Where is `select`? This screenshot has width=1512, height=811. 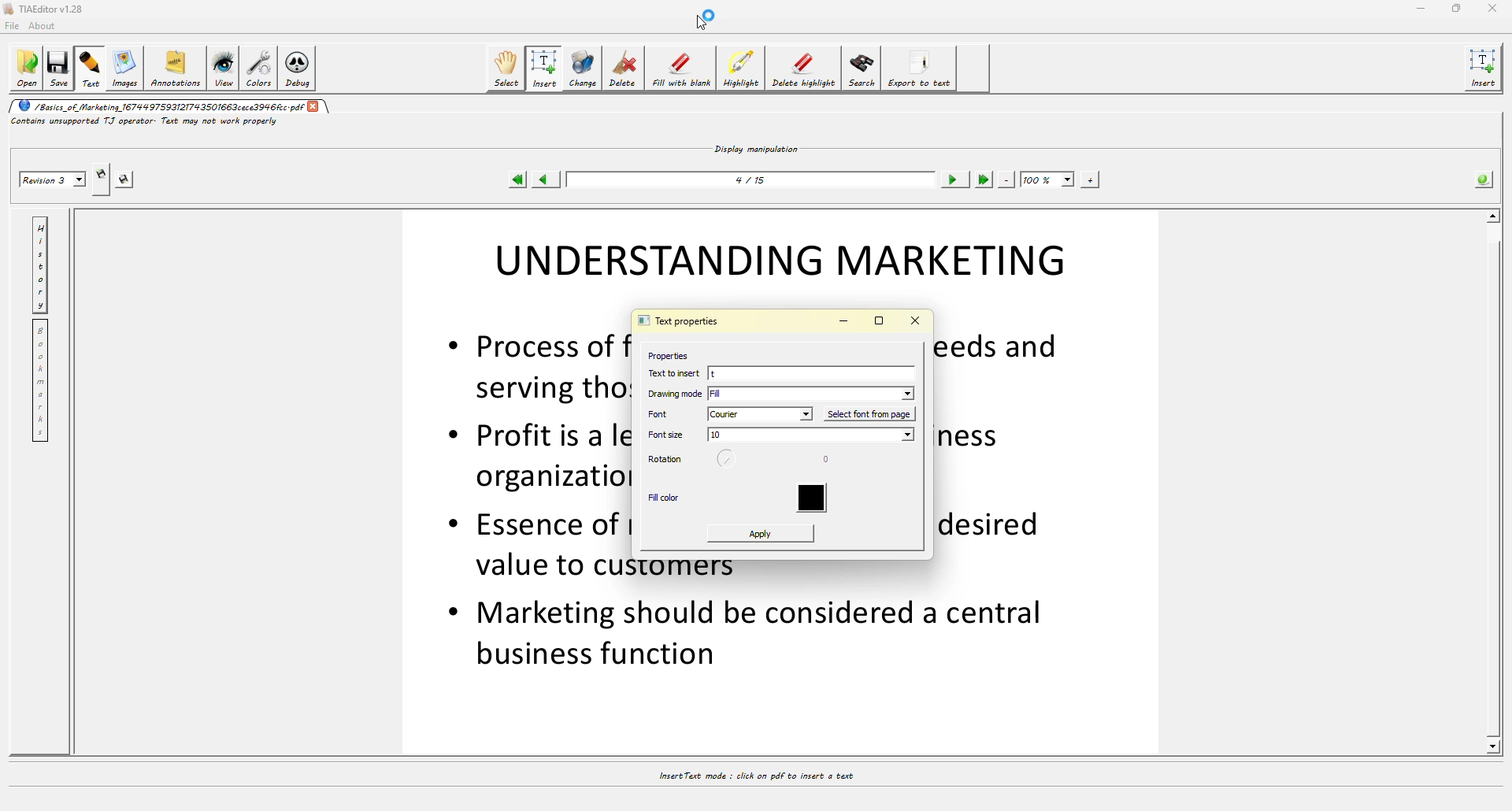
select is located at coordinates (507, 67).